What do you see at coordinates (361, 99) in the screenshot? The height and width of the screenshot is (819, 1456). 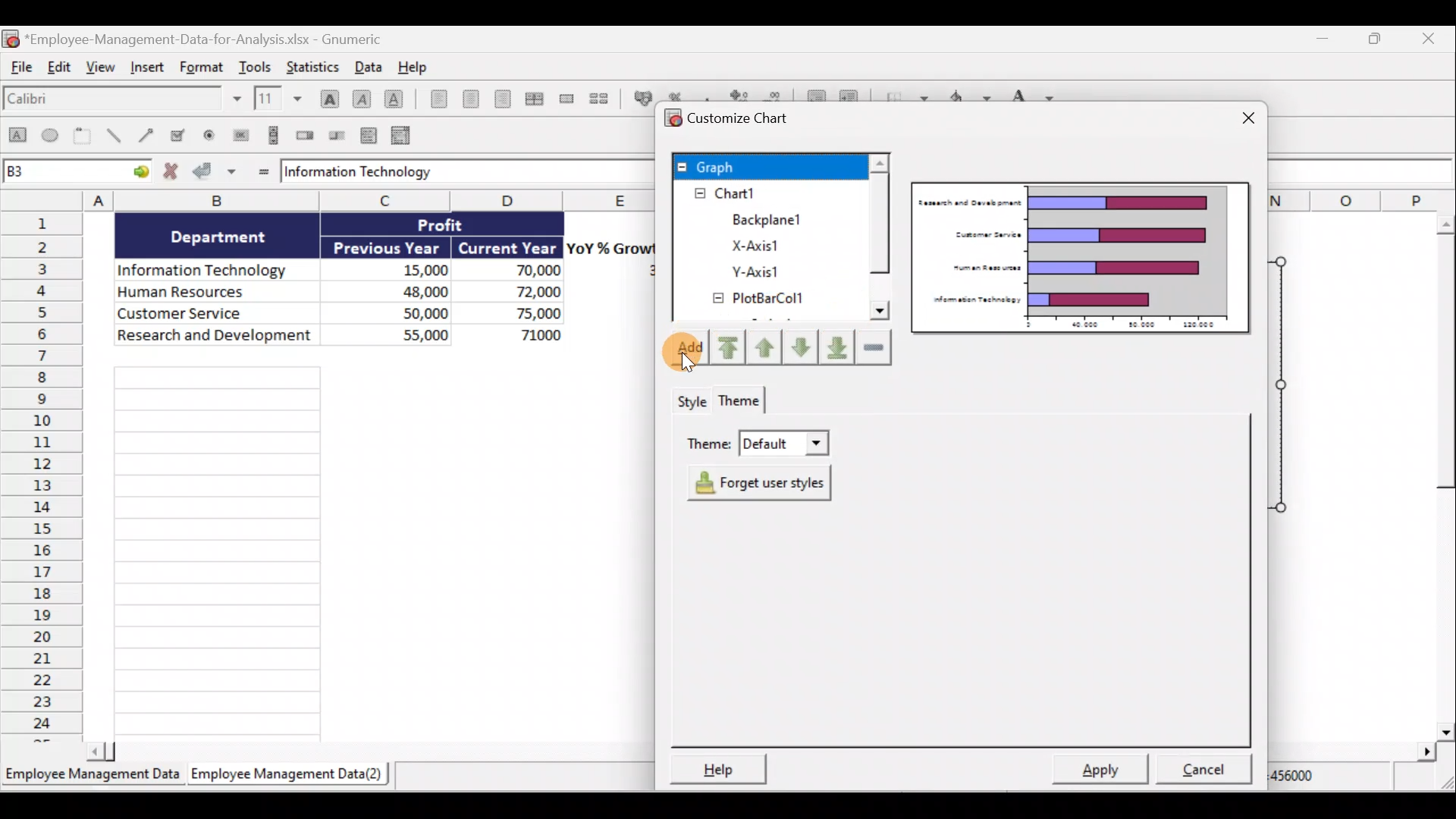 I see `Italic` at bounding box center [361, 99].